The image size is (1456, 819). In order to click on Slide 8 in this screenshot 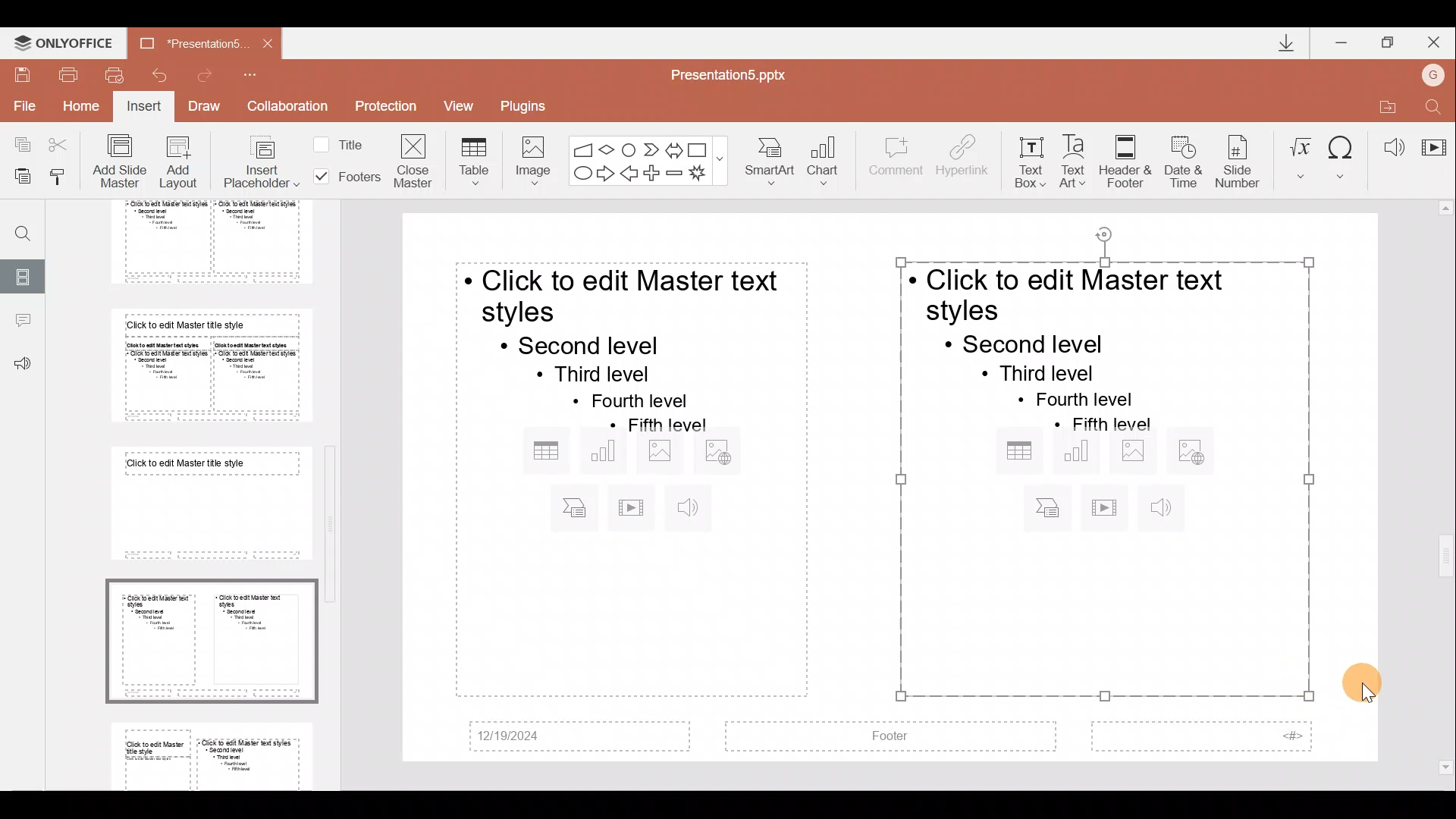, I will do `click(210, 638)`.